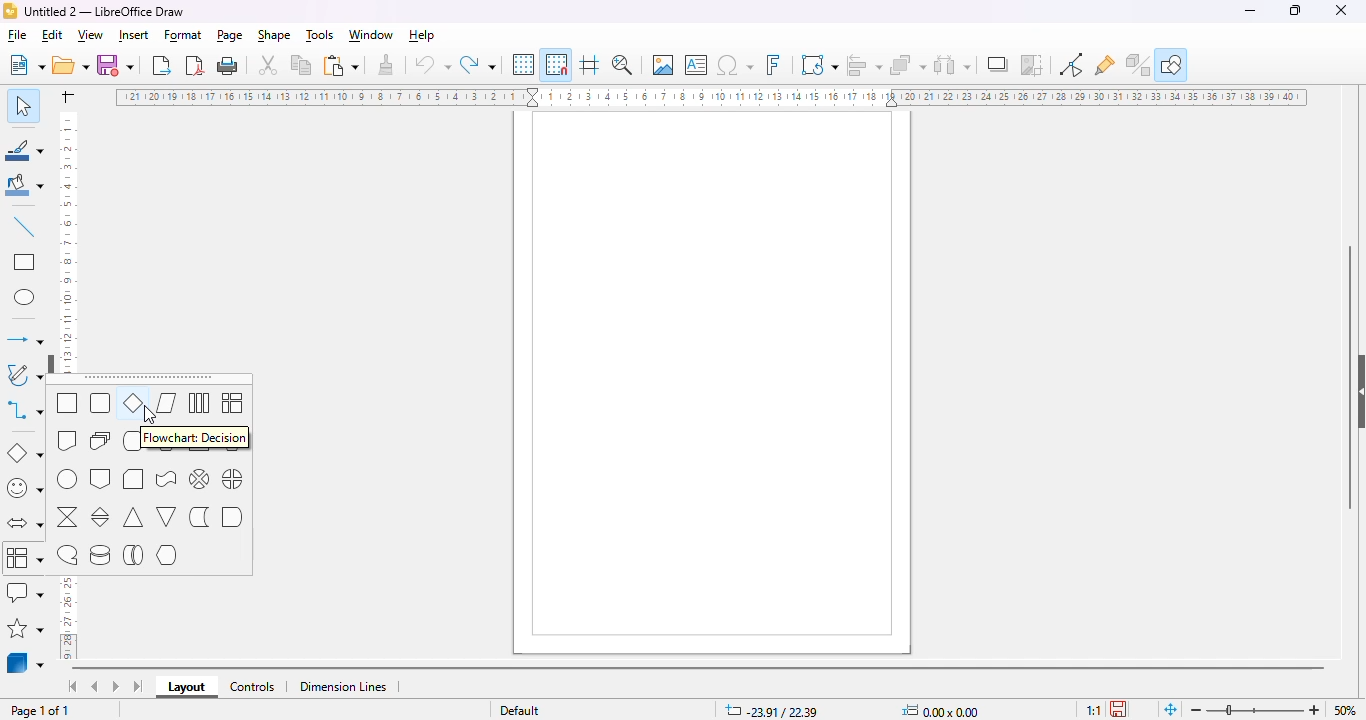 This screenshot has height=720, width=1366. Describe the element at coordinates (233, 516) in the screenshot. I see `flowchart: delay` at that location.